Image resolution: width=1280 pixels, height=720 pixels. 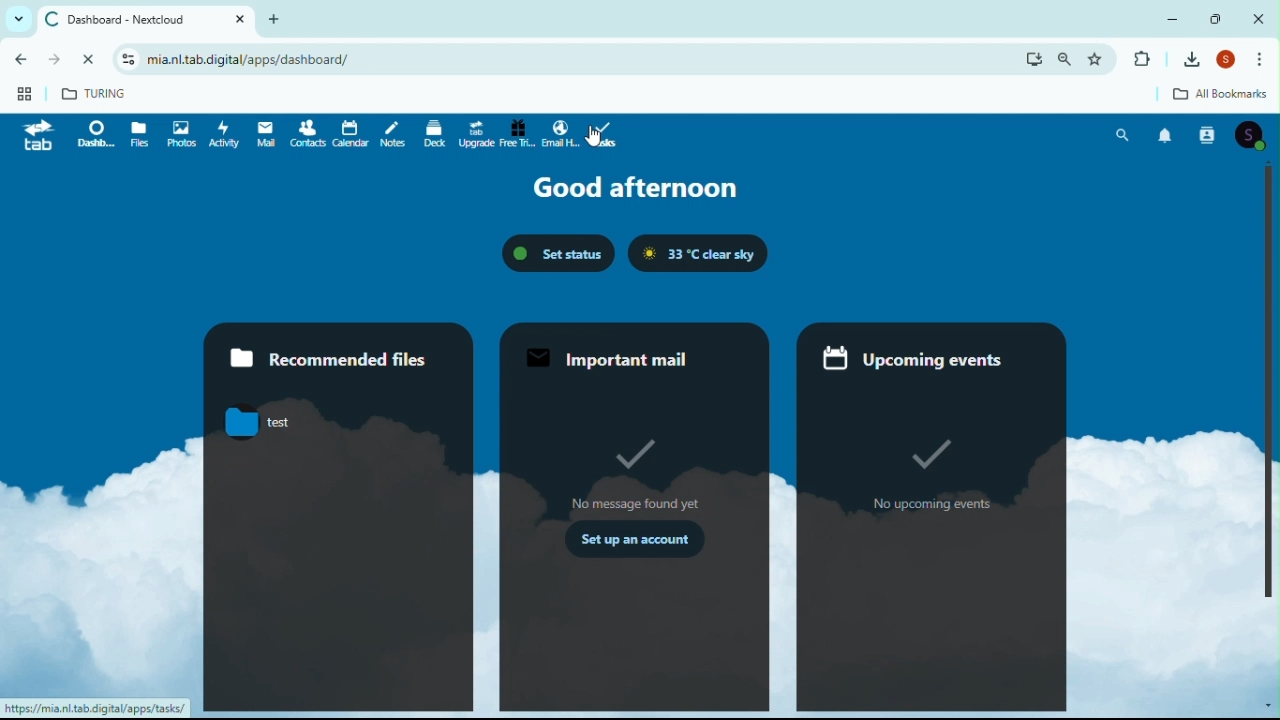 What do you see at coordinates (602, 133) in the screenshot?
I see `Tasks` at bounding box center [602, 133].